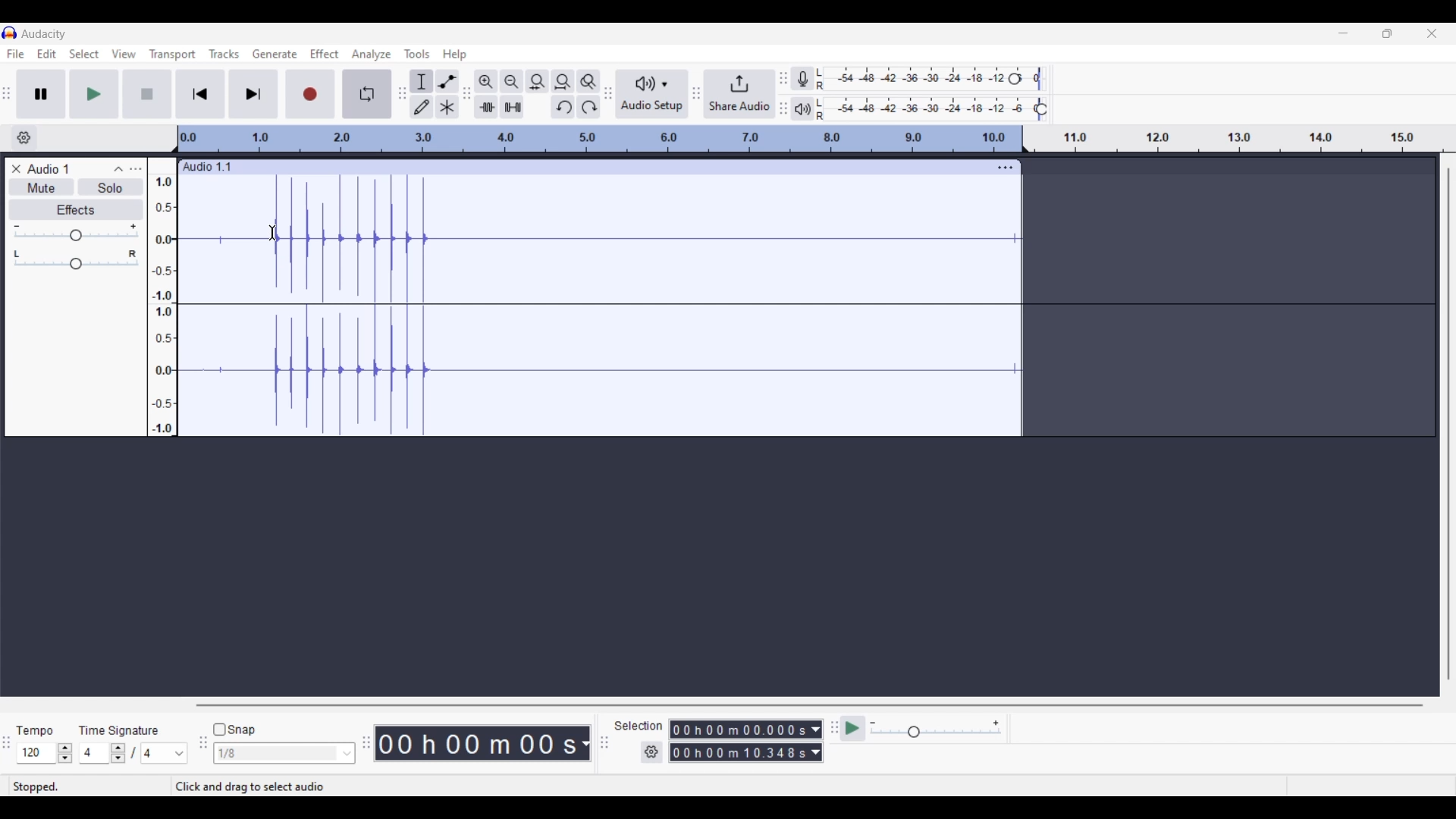 The width and height of the screenshot is (1456, 819). Describe the element at coordinates (45, 34) in the screenshot. I see `Software name` at that location.